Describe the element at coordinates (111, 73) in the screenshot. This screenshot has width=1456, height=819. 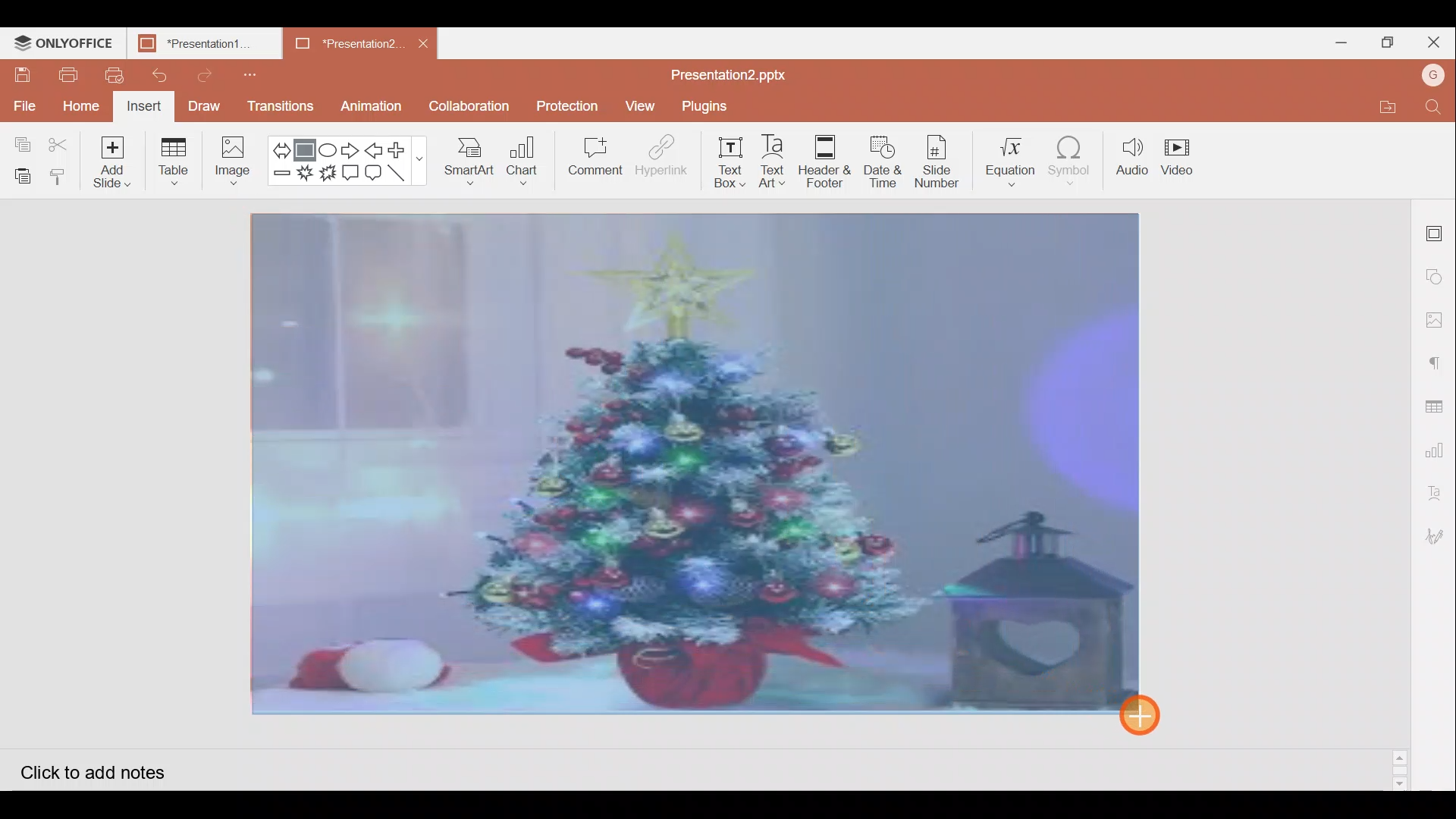
I see `Quick print` at that location.